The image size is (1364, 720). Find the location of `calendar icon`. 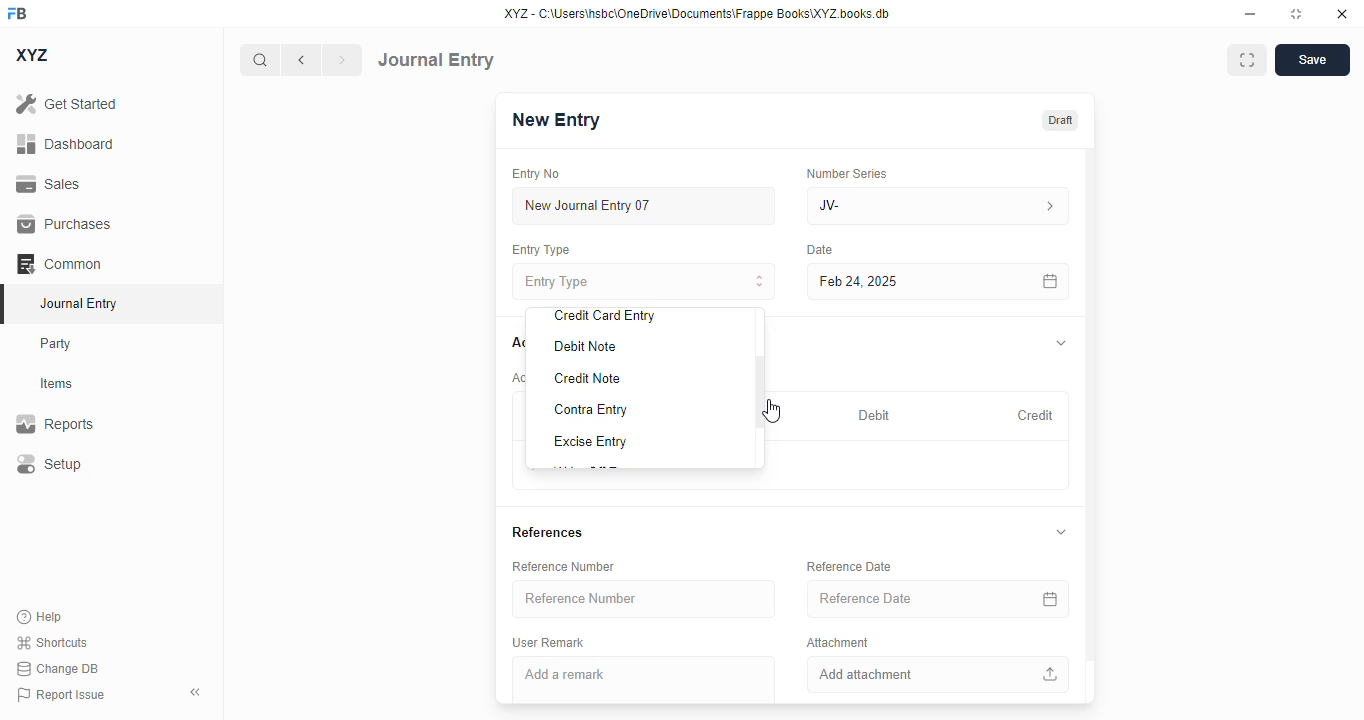

calendar icon is located at coordinates (1051, 281).